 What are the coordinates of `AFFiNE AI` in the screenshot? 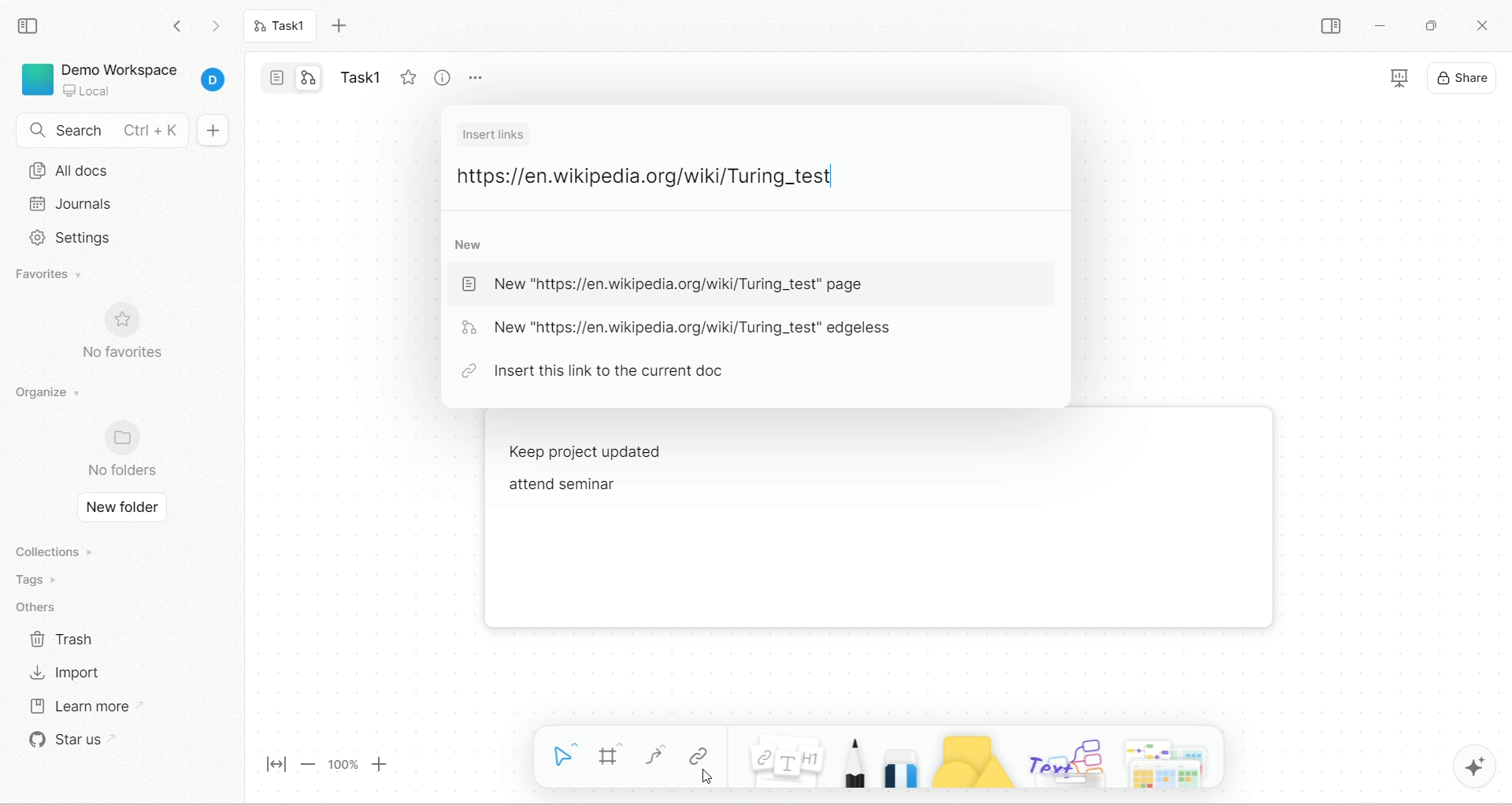 It's located at (1477, 763).